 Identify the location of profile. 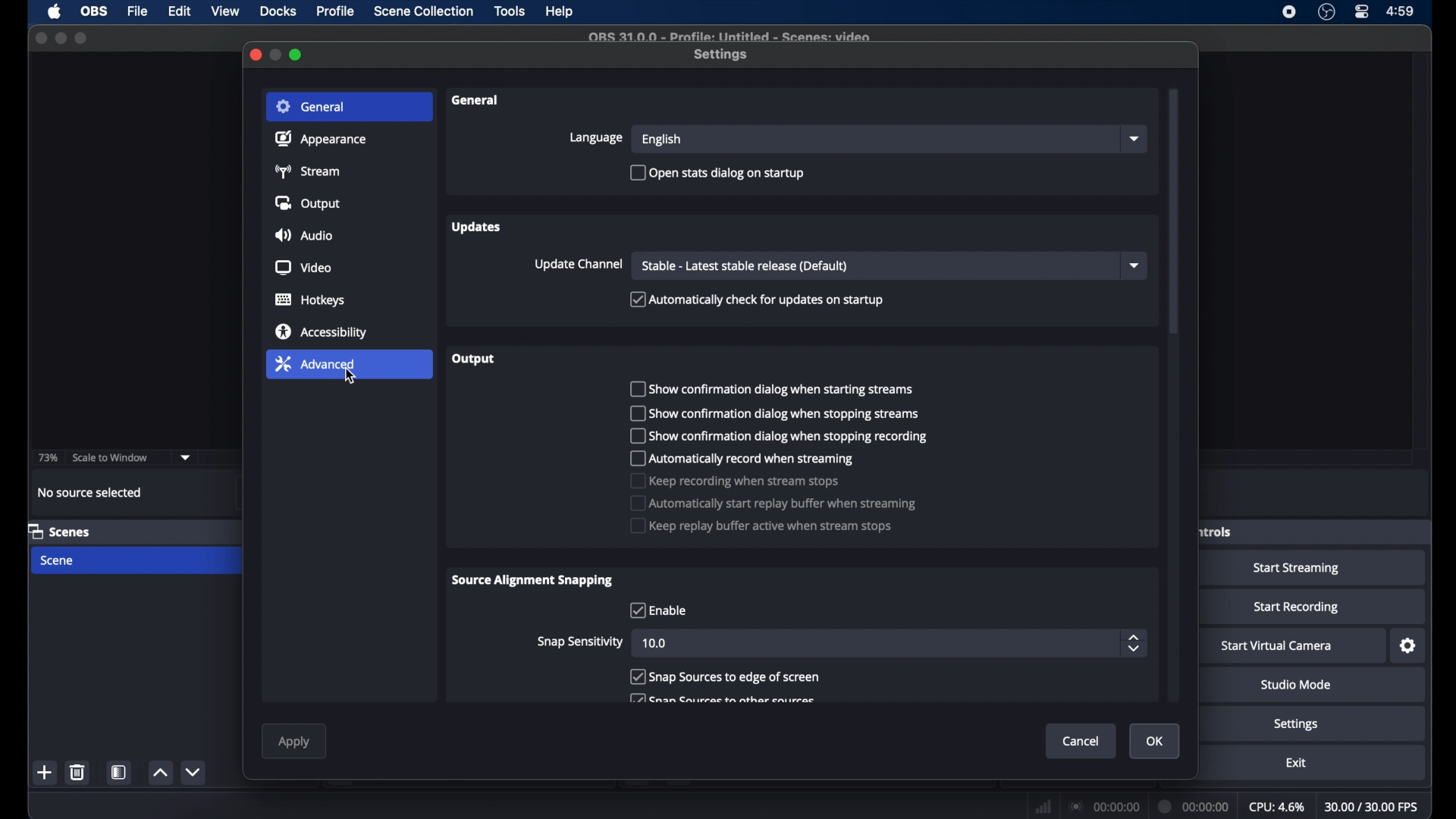
(337, 11).